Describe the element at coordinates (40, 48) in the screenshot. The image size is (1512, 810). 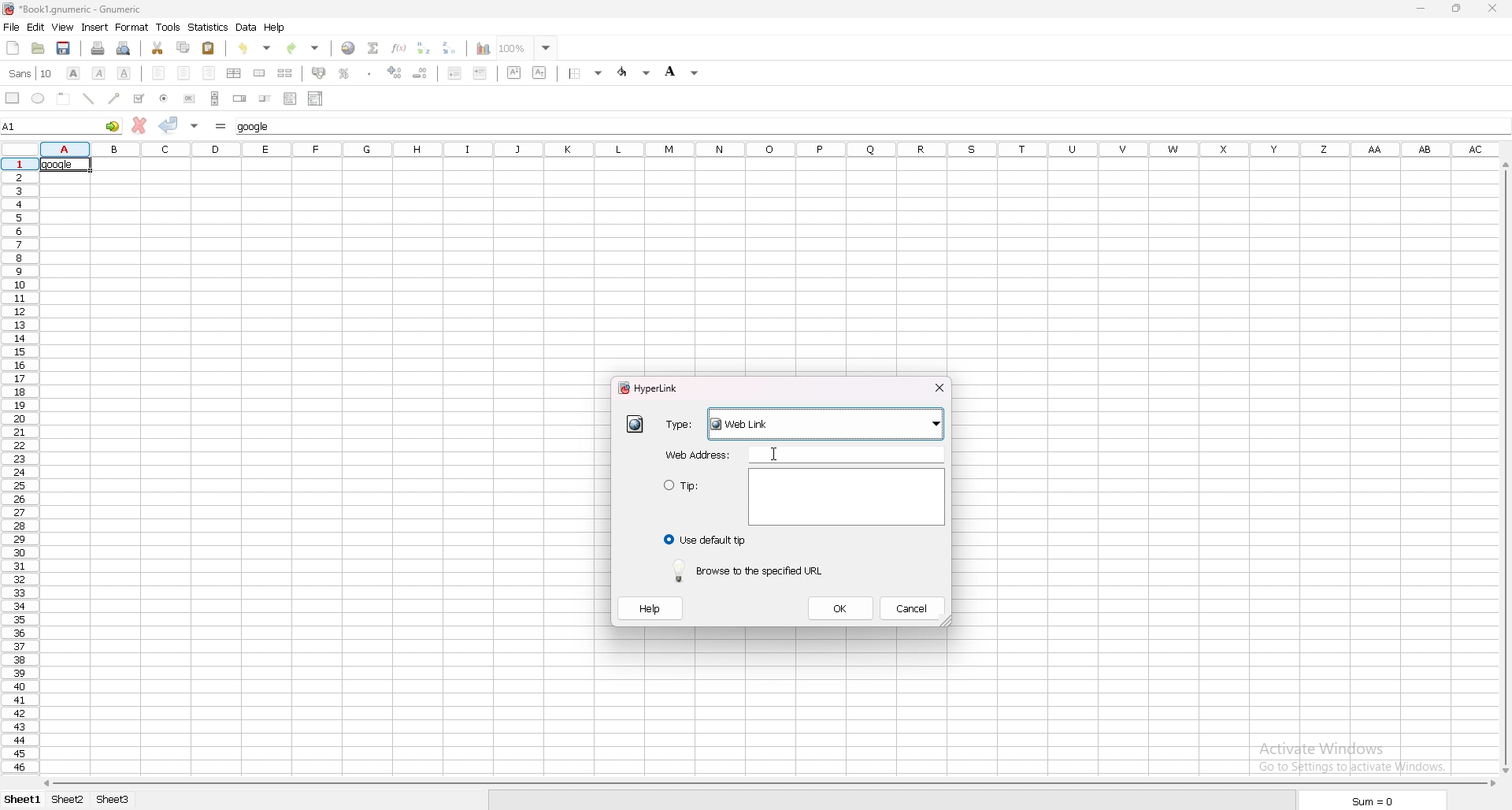
I see `open` at that location.